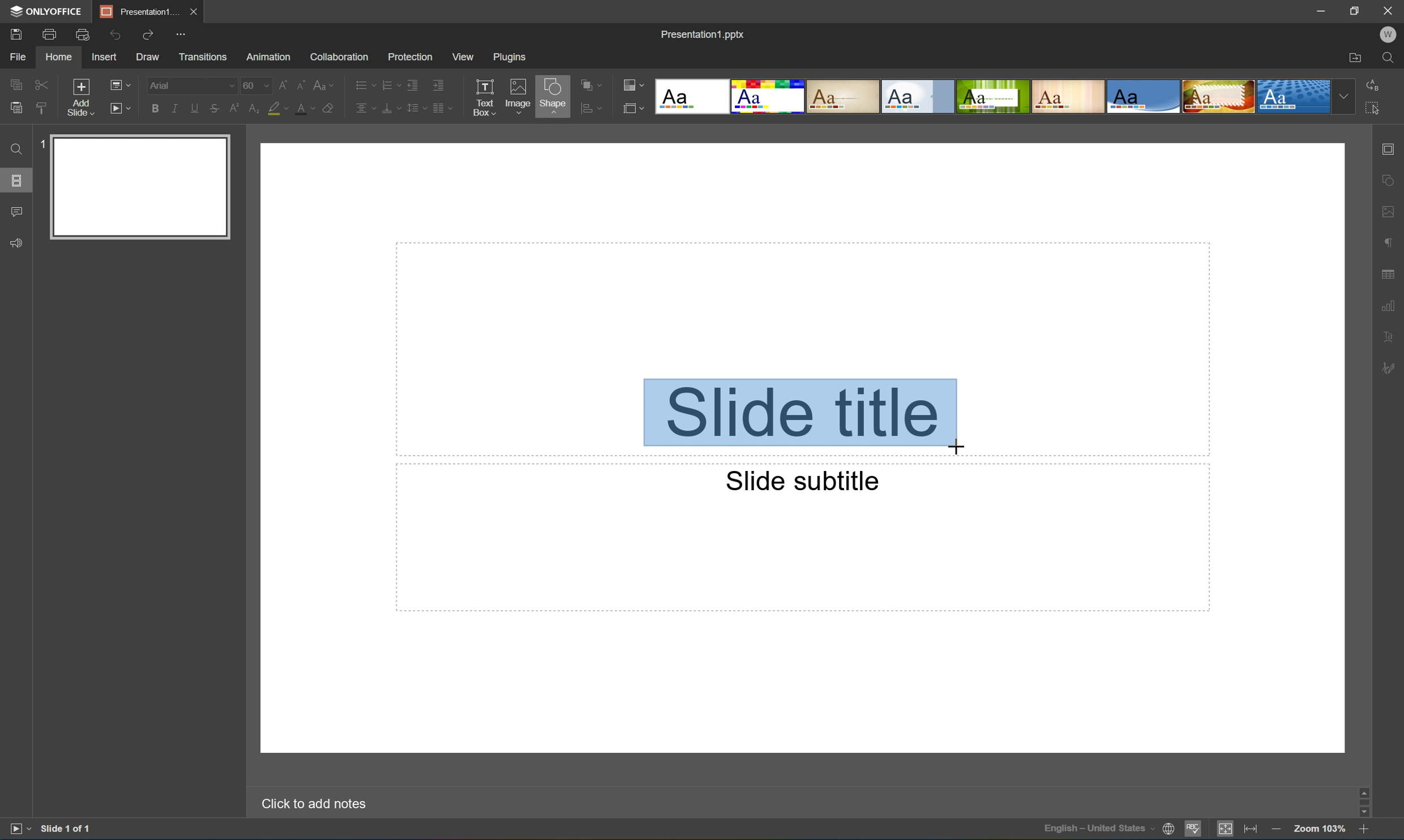  I want to click on Fit to slide, so click(1228, 832).